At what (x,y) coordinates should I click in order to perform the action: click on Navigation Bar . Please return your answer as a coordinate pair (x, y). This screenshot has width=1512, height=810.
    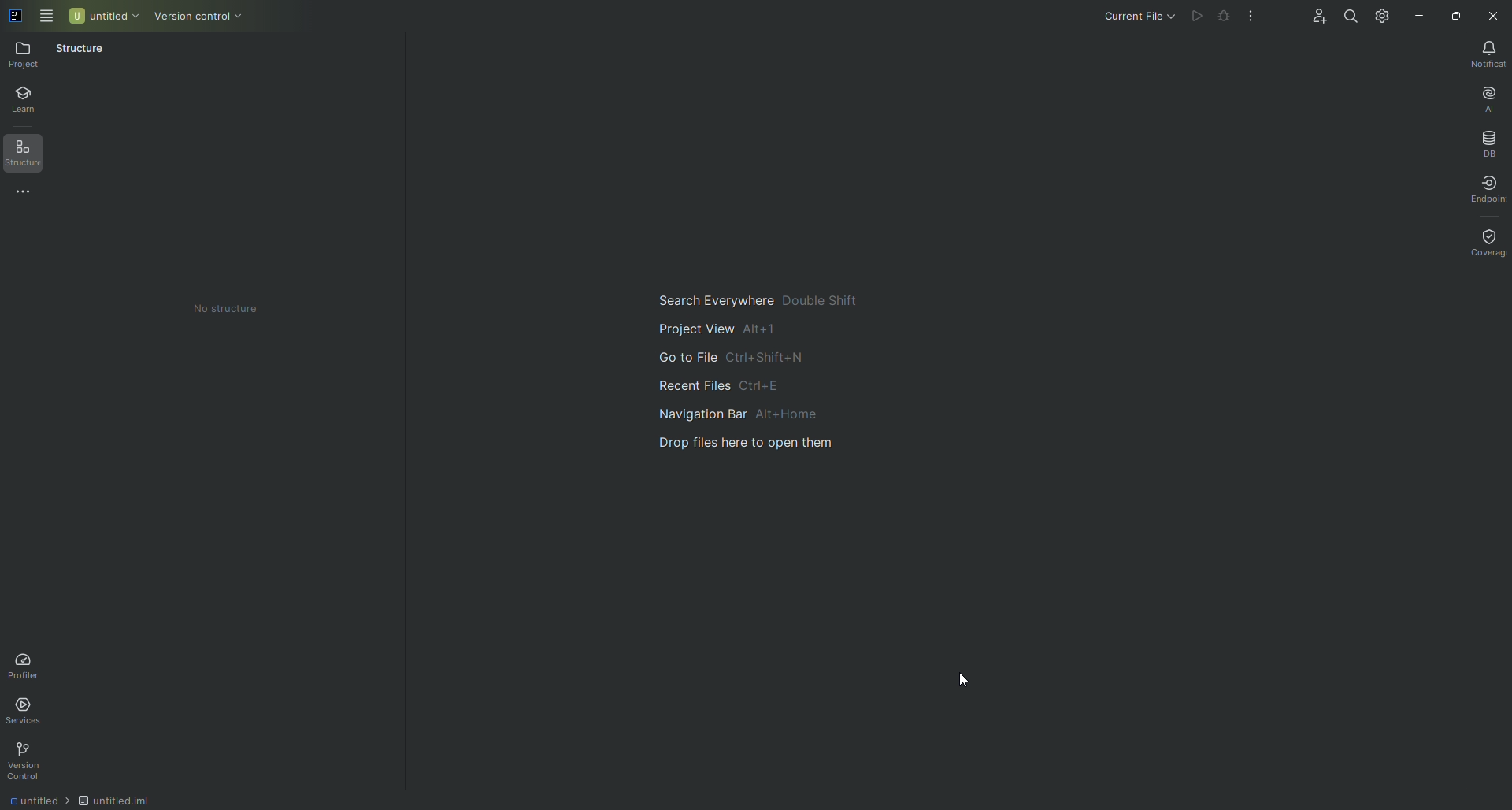
    Looking at the image, I should click on (754, 412).